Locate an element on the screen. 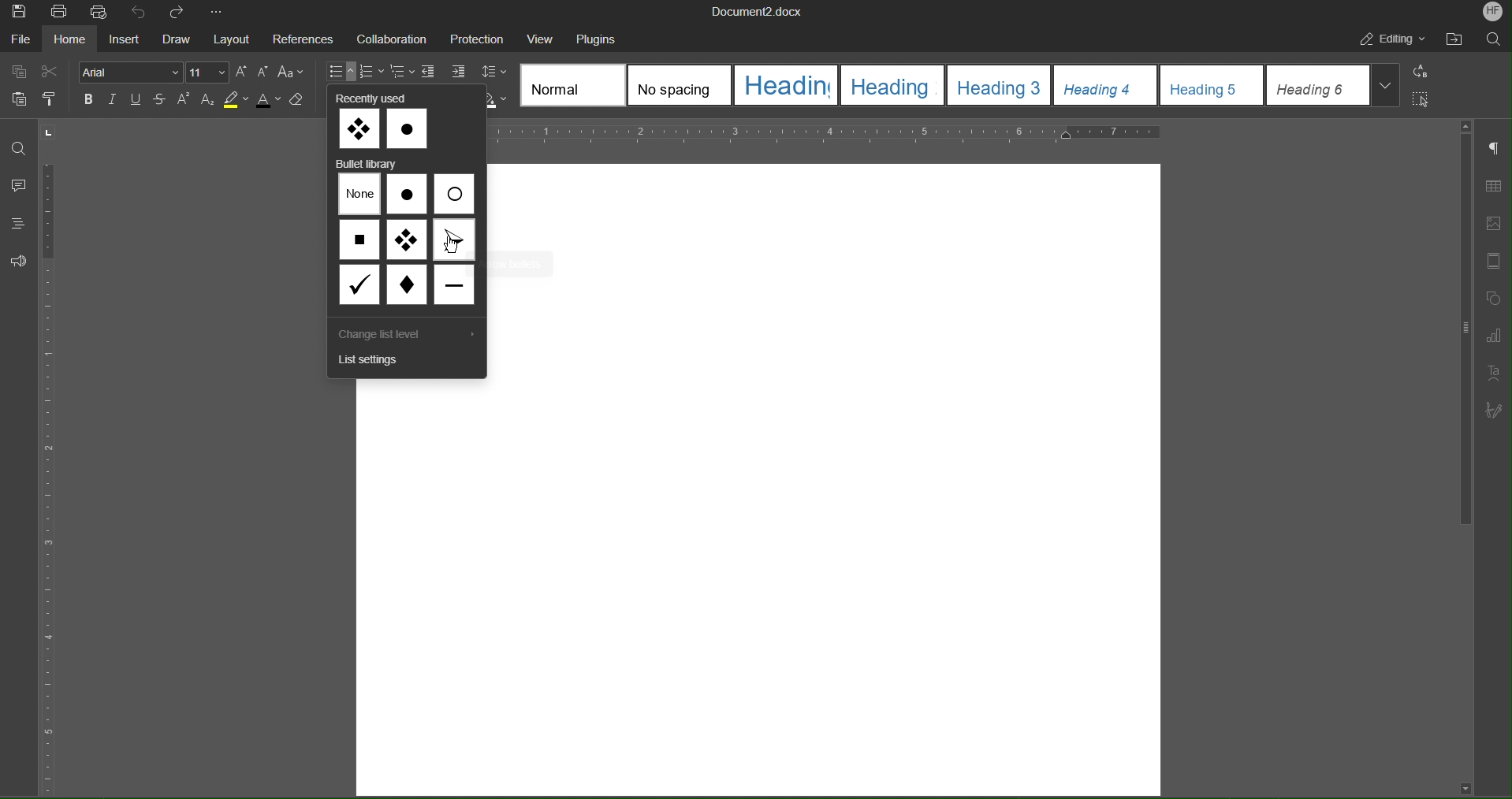 This screenshot has height=799, width=1512. Pointer is located at coordinates (454, 239).